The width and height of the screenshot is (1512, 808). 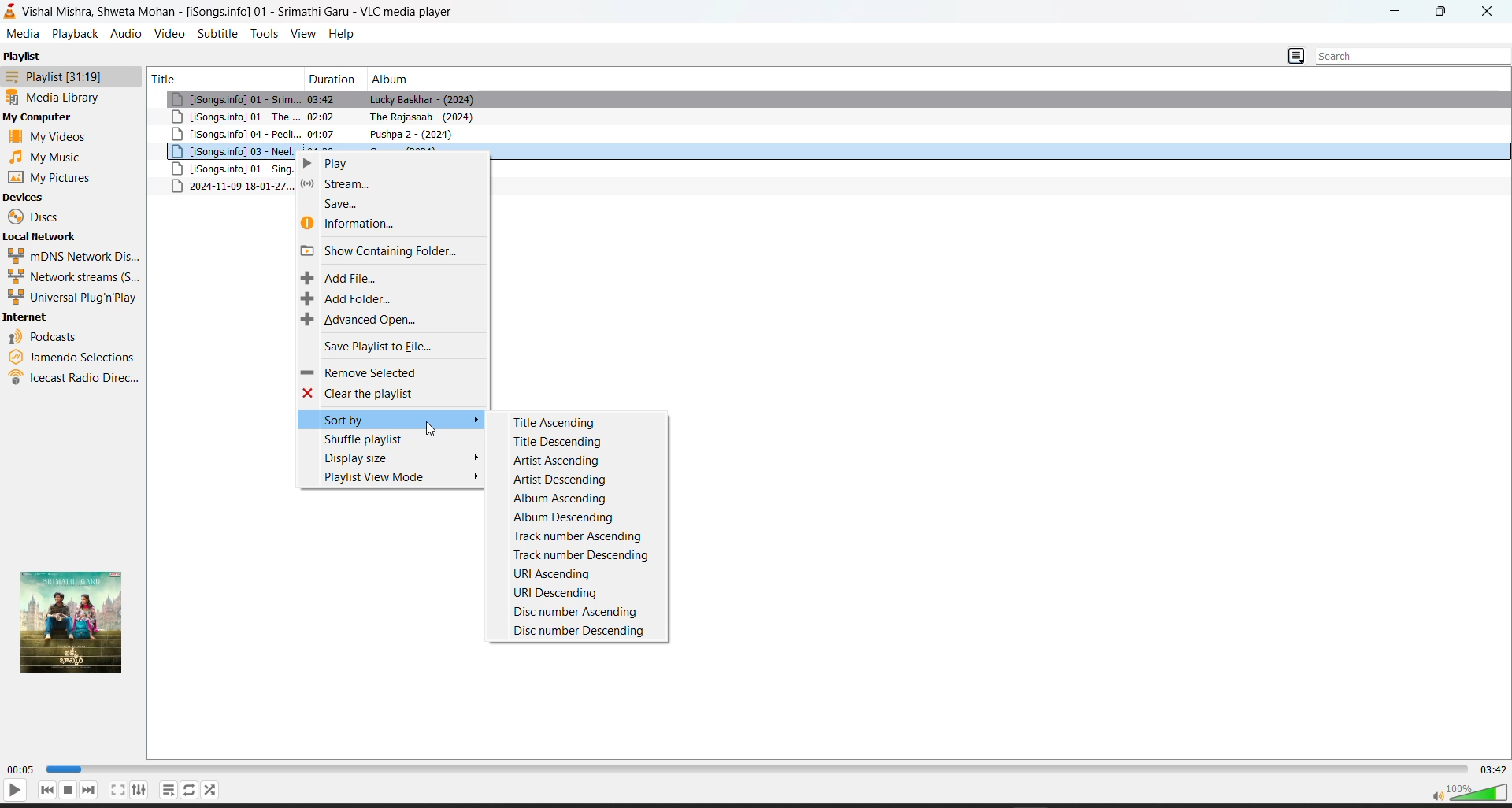 I want to click on minimize, so click(x=1393, y=10).